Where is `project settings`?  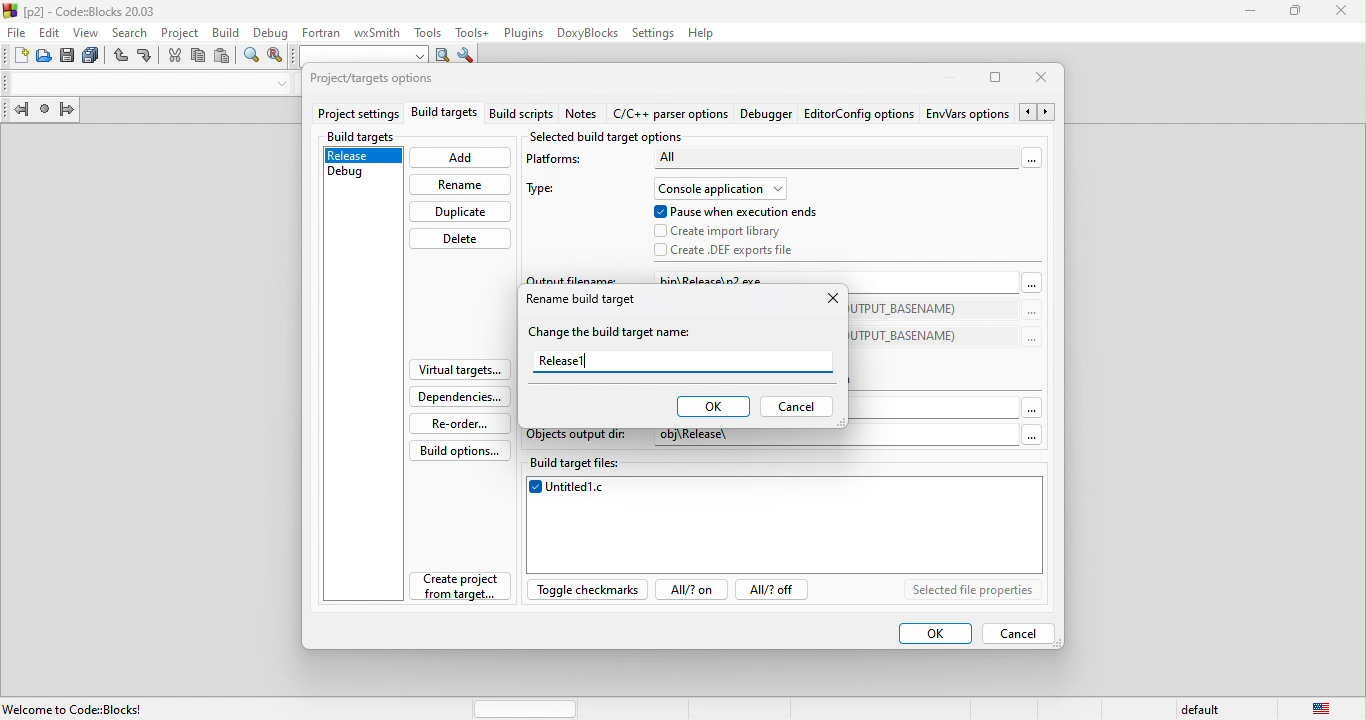 project settings is located at coordinates (358, 115).